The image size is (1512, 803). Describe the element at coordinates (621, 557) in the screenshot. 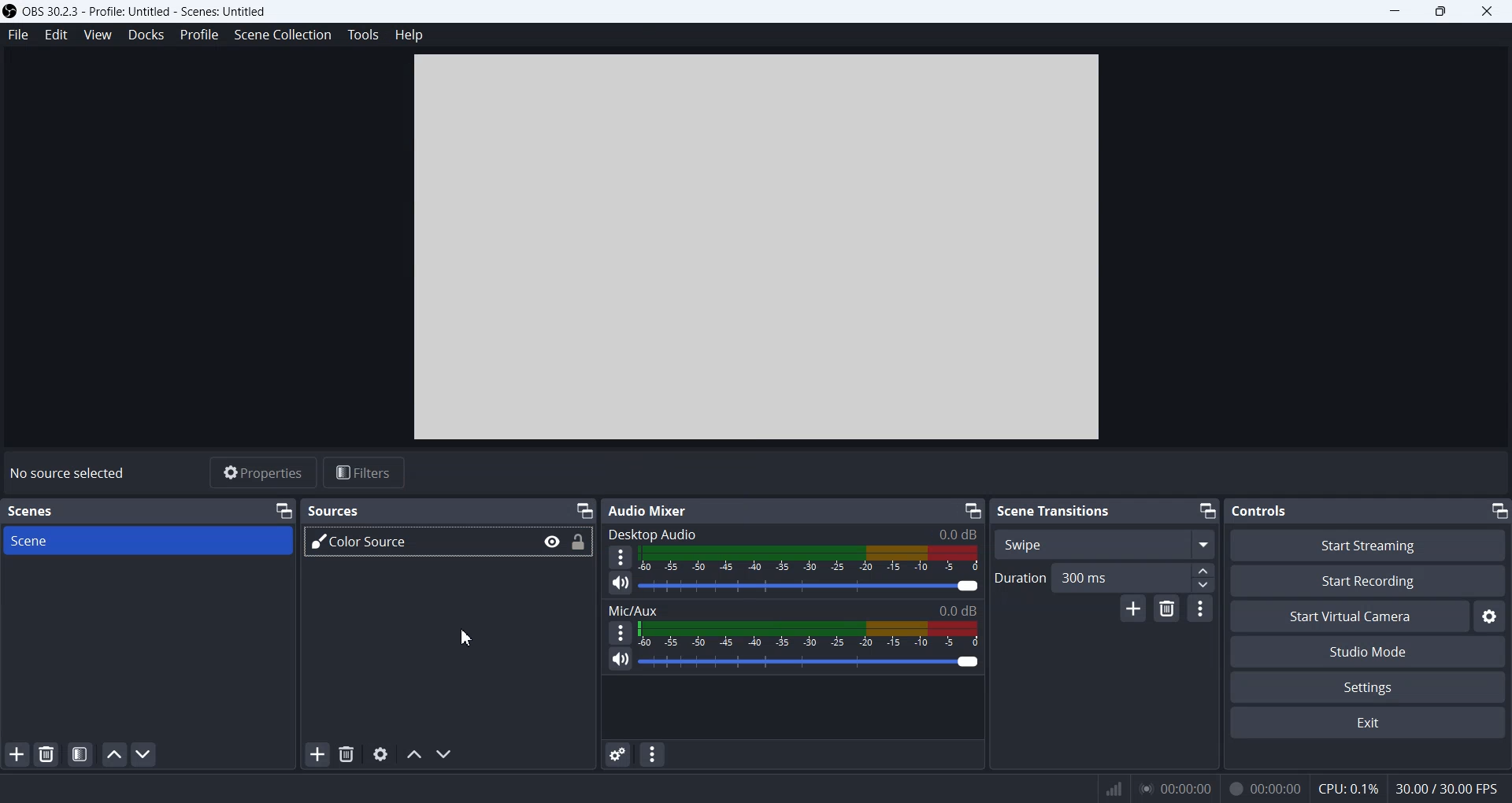

I see `More` at that location.